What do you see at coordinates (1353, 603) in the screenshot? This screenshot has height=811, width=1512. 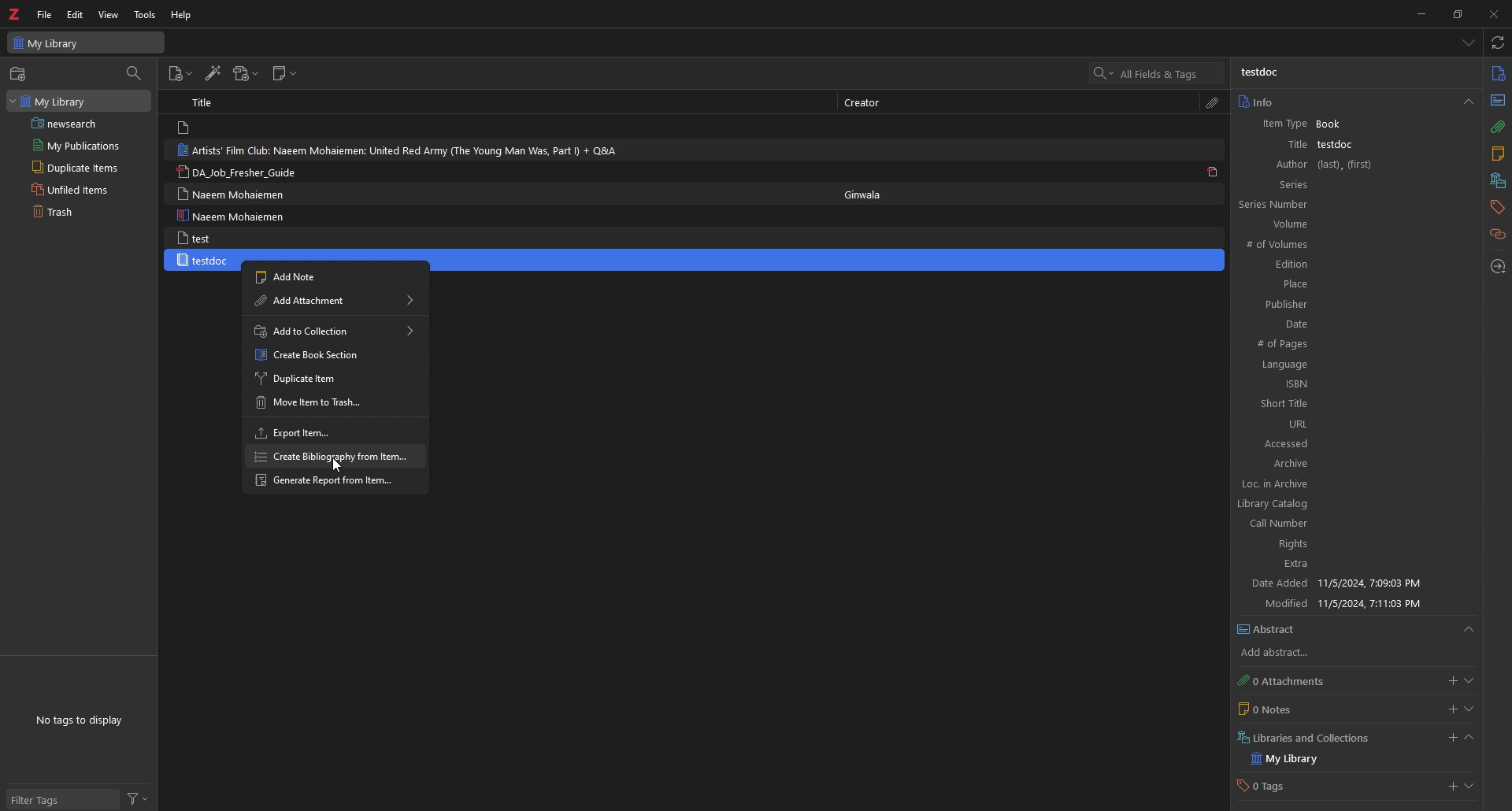 I see `Modified 11/5/2024, 7:11:03 PM` at bounding box center [1353, 603].